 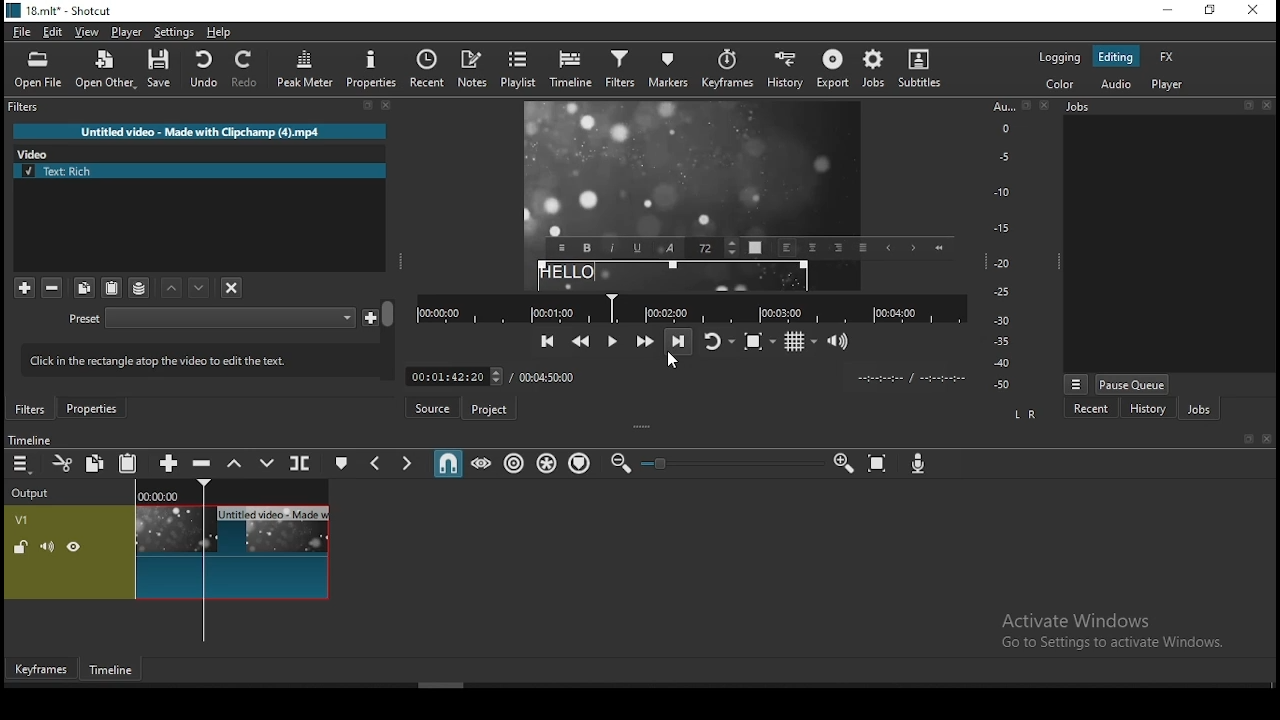 What do you see at coordinates (85, 320) in the screenshot?
I see `Preset` at bounding box center [85, 320].